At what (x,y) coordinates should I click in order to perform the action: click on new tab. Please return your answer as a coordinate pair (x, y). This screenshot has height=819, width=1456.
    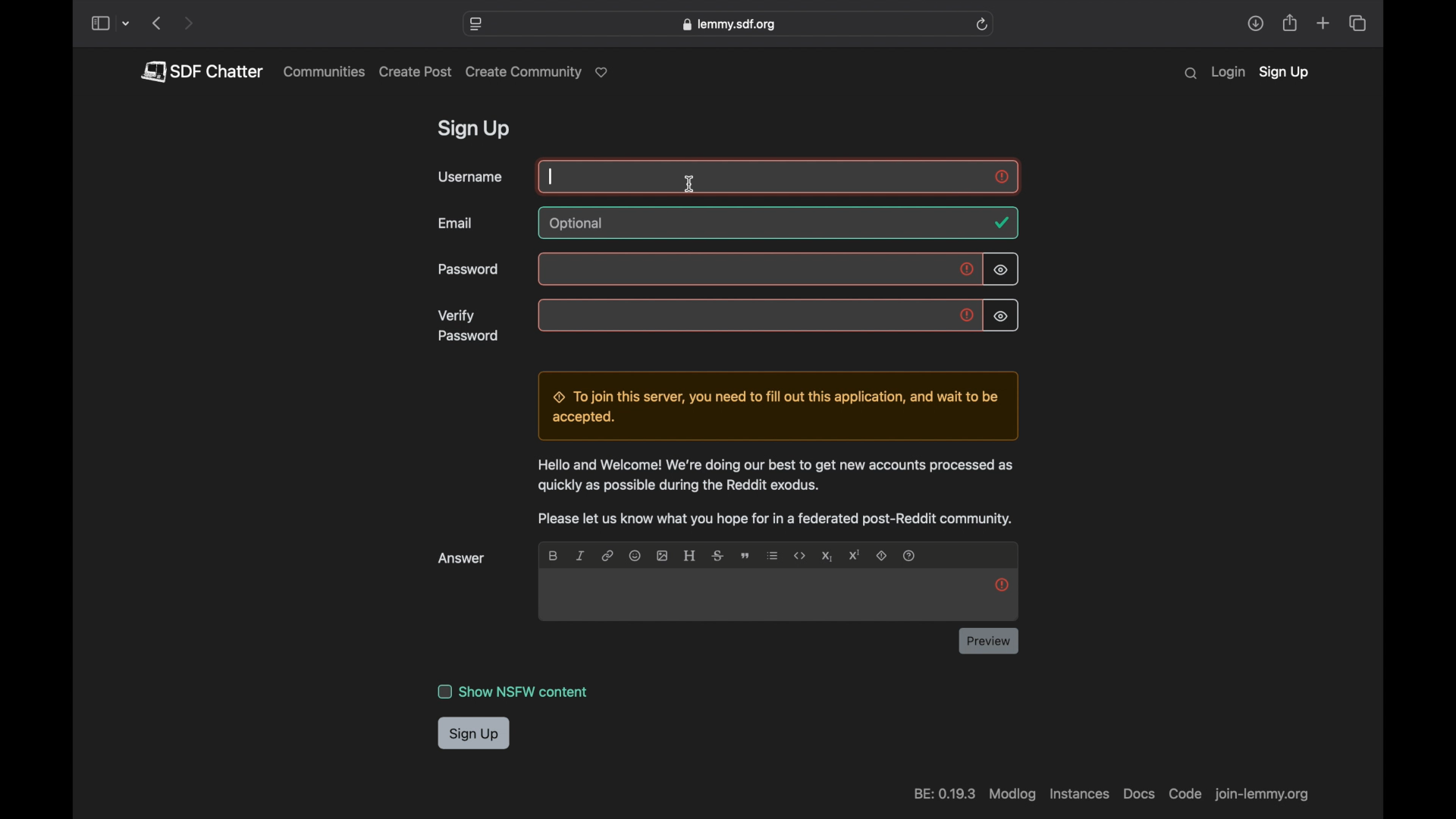
    Looking at the image, I should click on (1324, 23).